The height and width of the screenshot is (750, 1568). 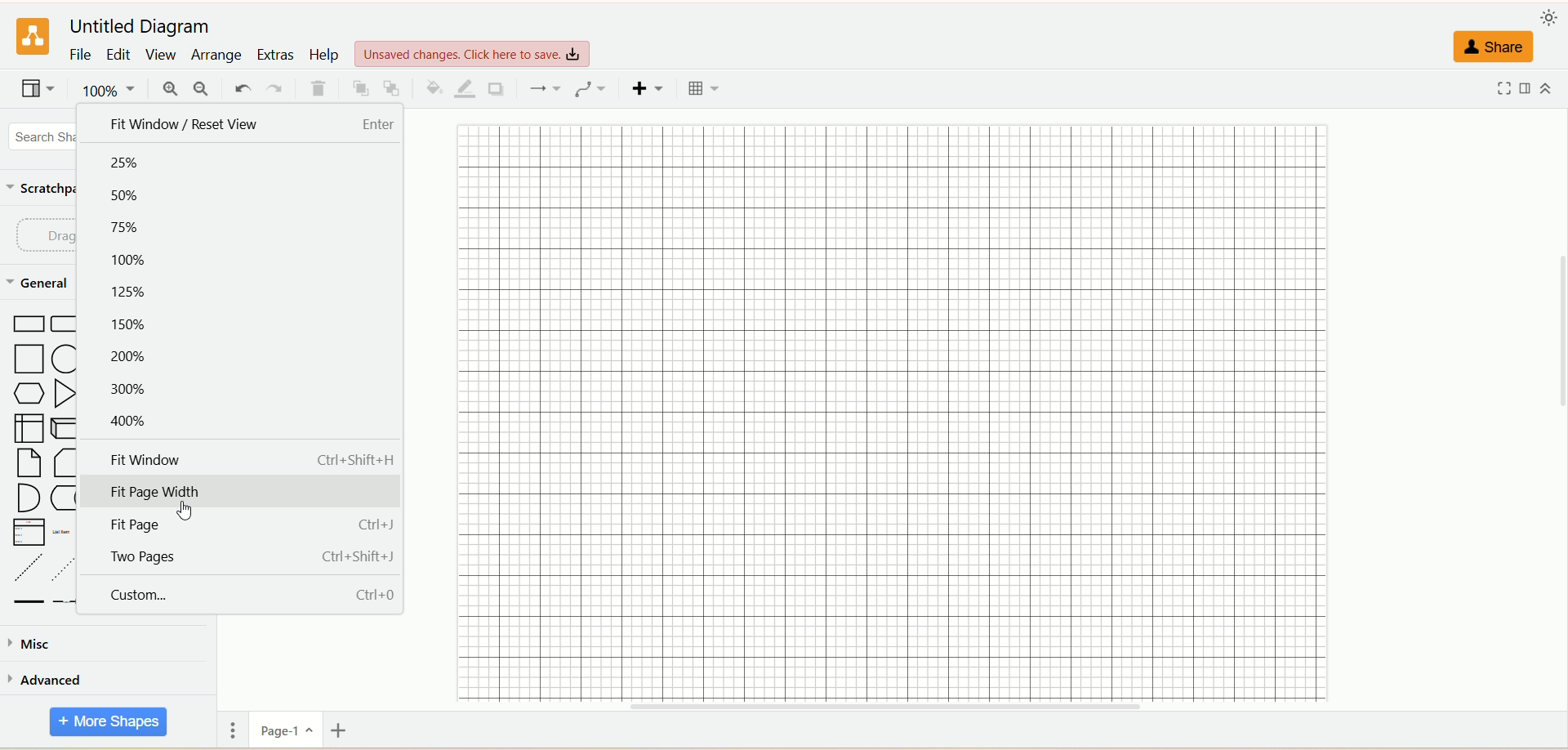 What do you see at coordinates (126, 421) in the screenshot?
I see `400%` at bounding box center [126, 421].